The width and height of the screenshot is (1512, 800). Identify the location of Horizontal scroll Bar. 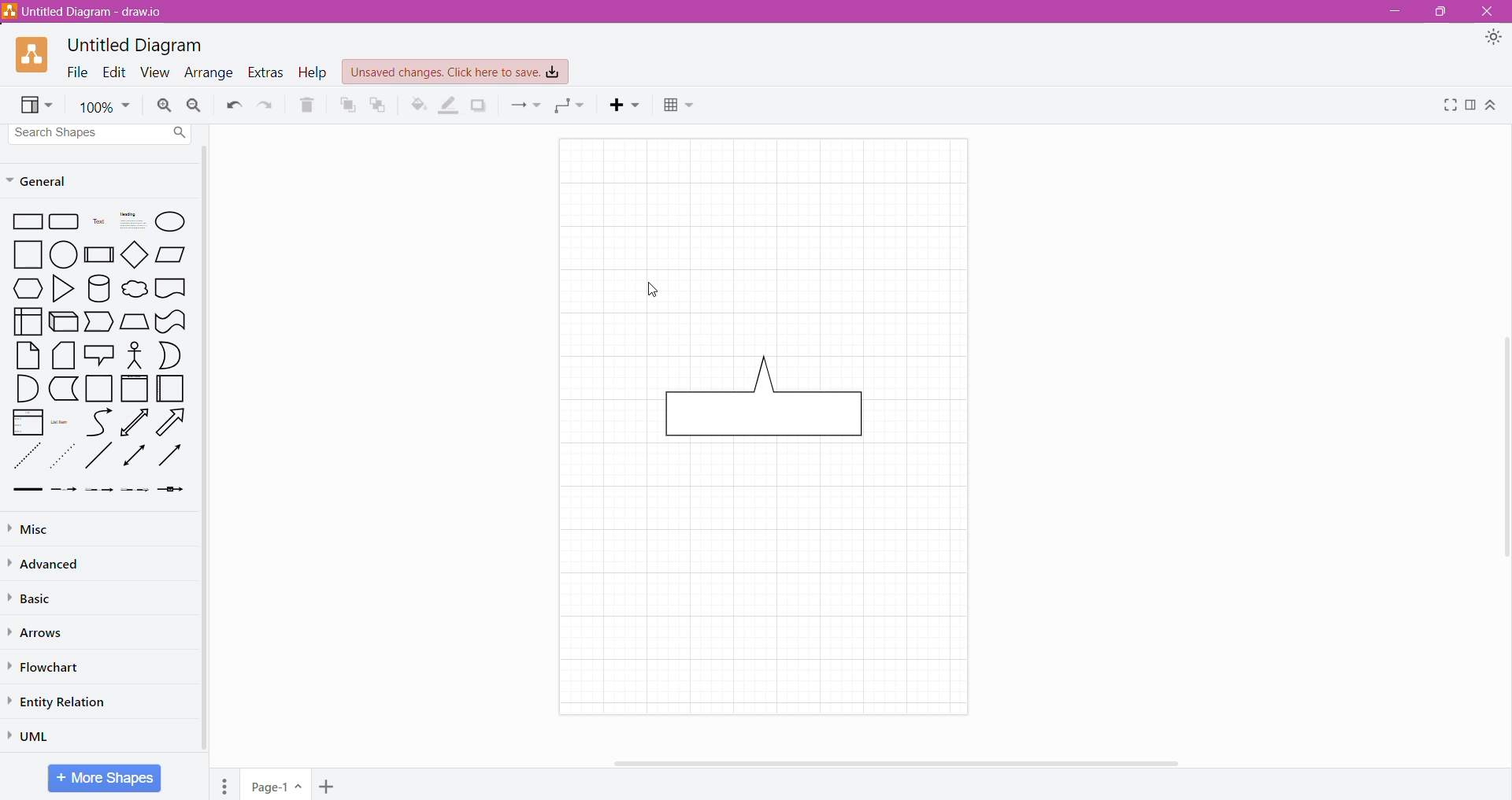
(913, 763).